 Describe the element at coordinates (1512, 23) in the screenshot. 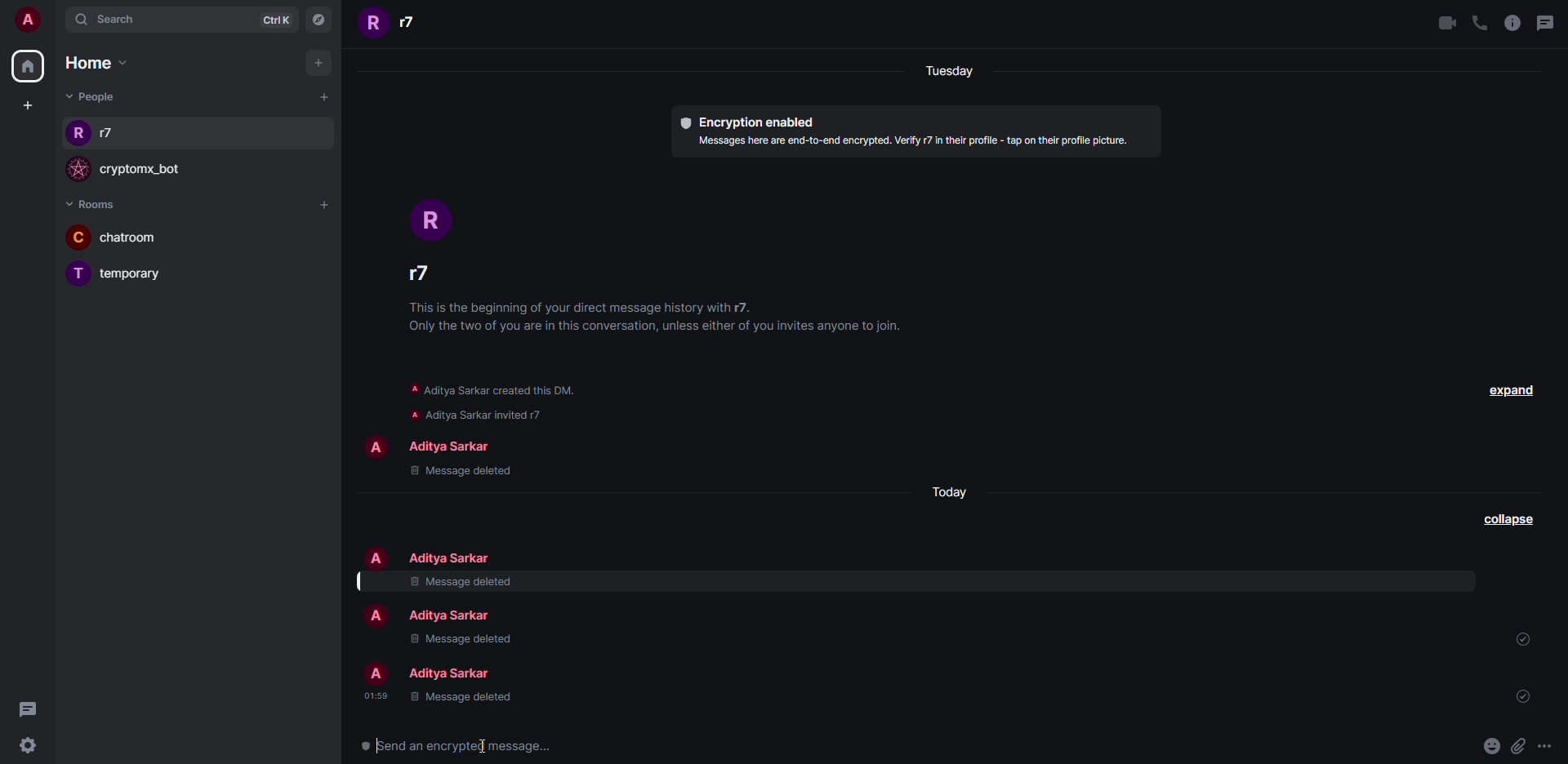

I see `info` at that location.